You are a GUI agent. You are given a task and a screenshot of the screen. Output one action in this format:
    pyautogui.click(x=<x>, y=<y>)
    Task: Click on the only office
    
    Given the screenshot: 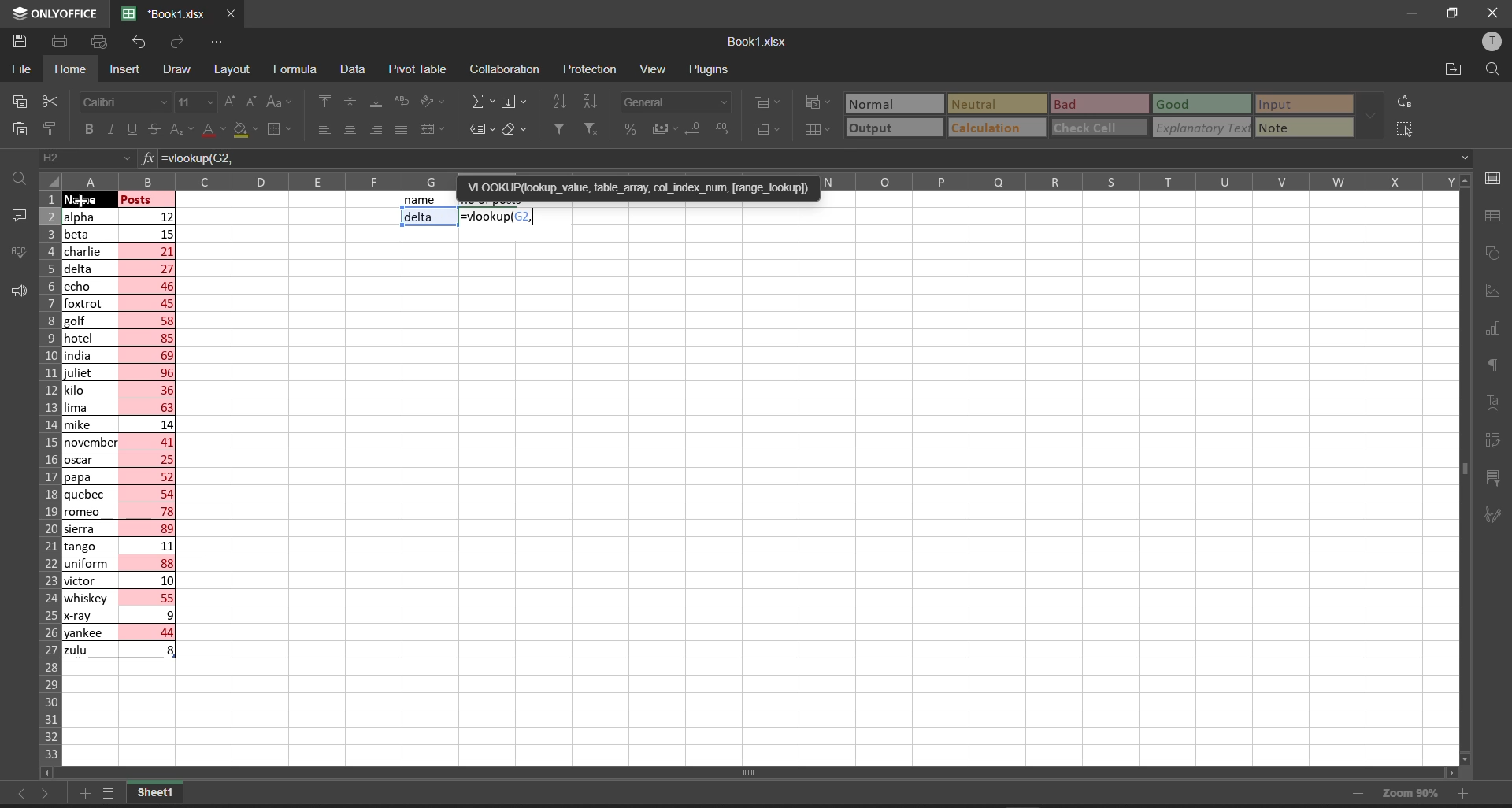 What is the action you would take?
    pyautogui.click(x=55, y=13)
    